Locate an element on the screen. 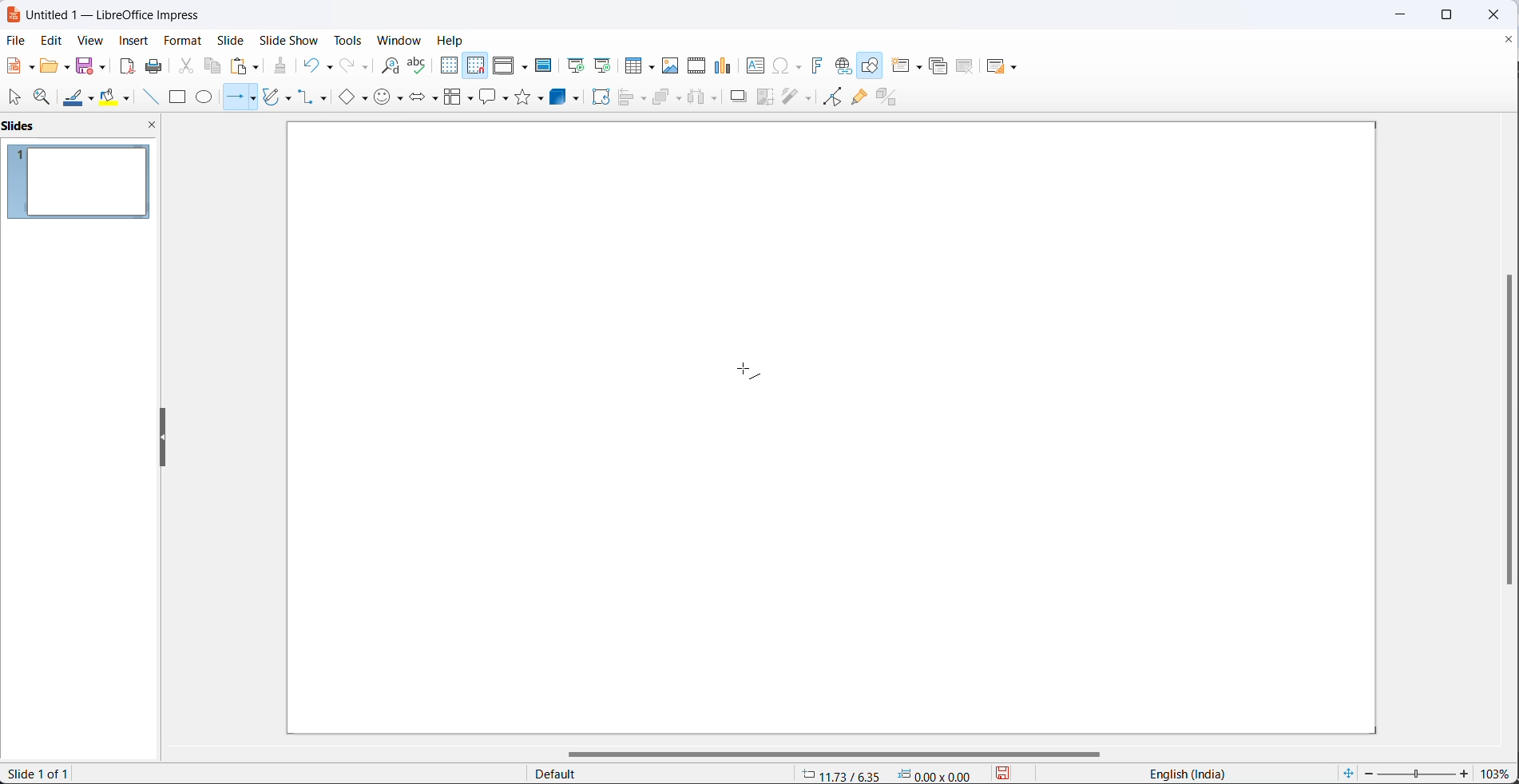  tools is located at coordinates (347, 40).